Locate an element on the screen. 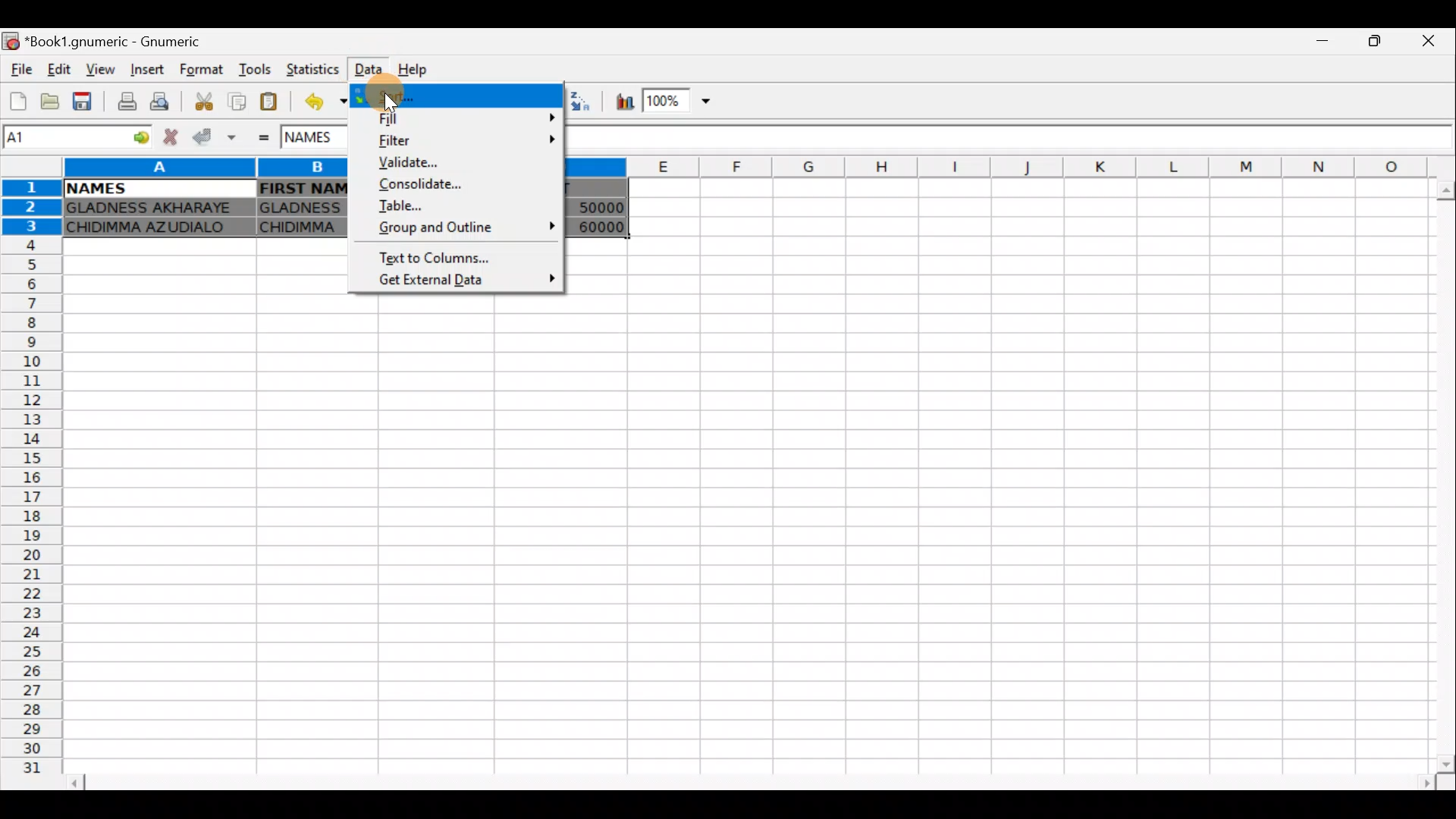 This screenshot has width=1456, height=819. GLADNESS AKHARAYE is located at coordinates (154, 209).